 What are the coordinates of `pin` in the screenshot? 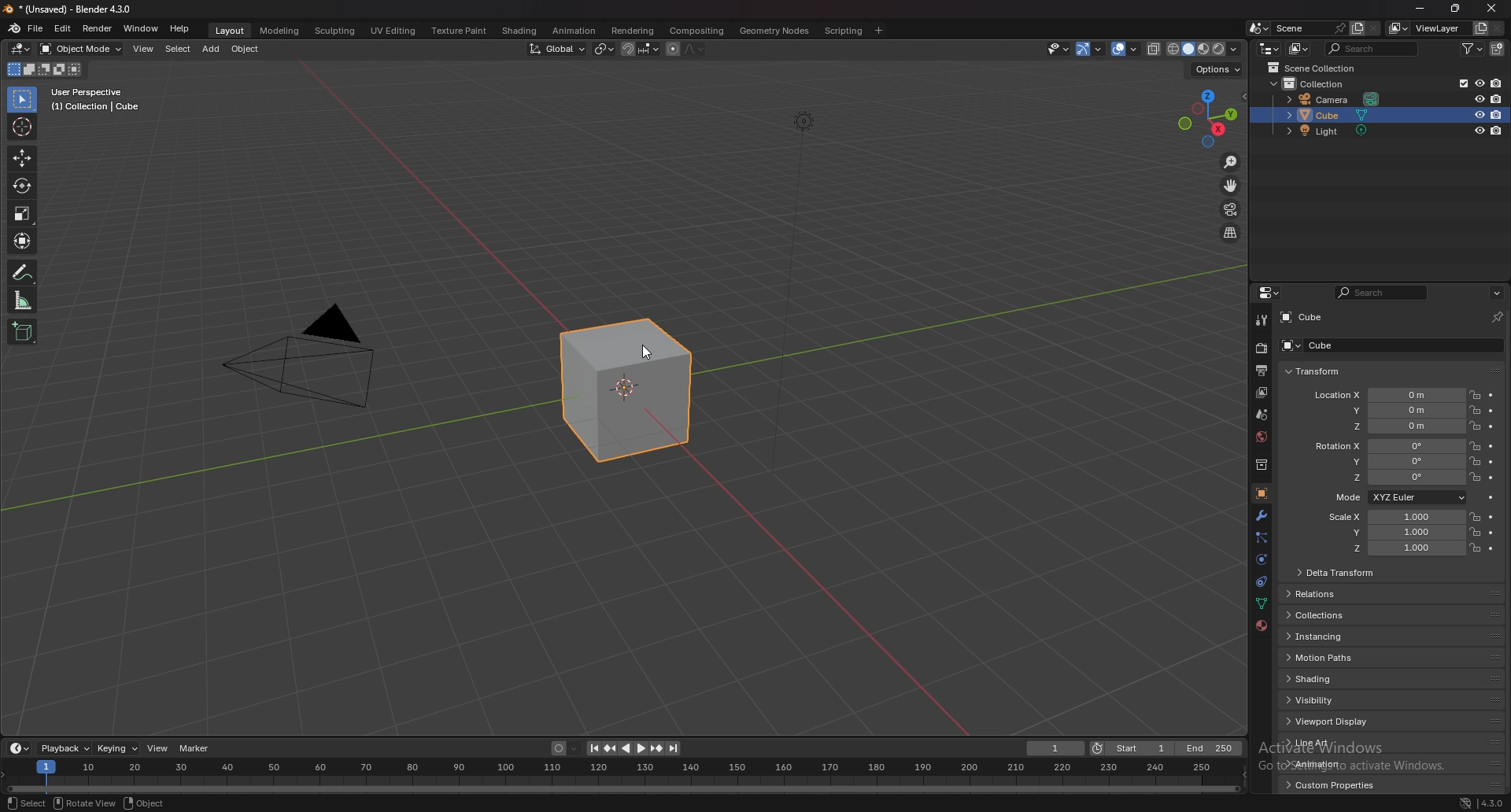 It's located at (1498, 317).